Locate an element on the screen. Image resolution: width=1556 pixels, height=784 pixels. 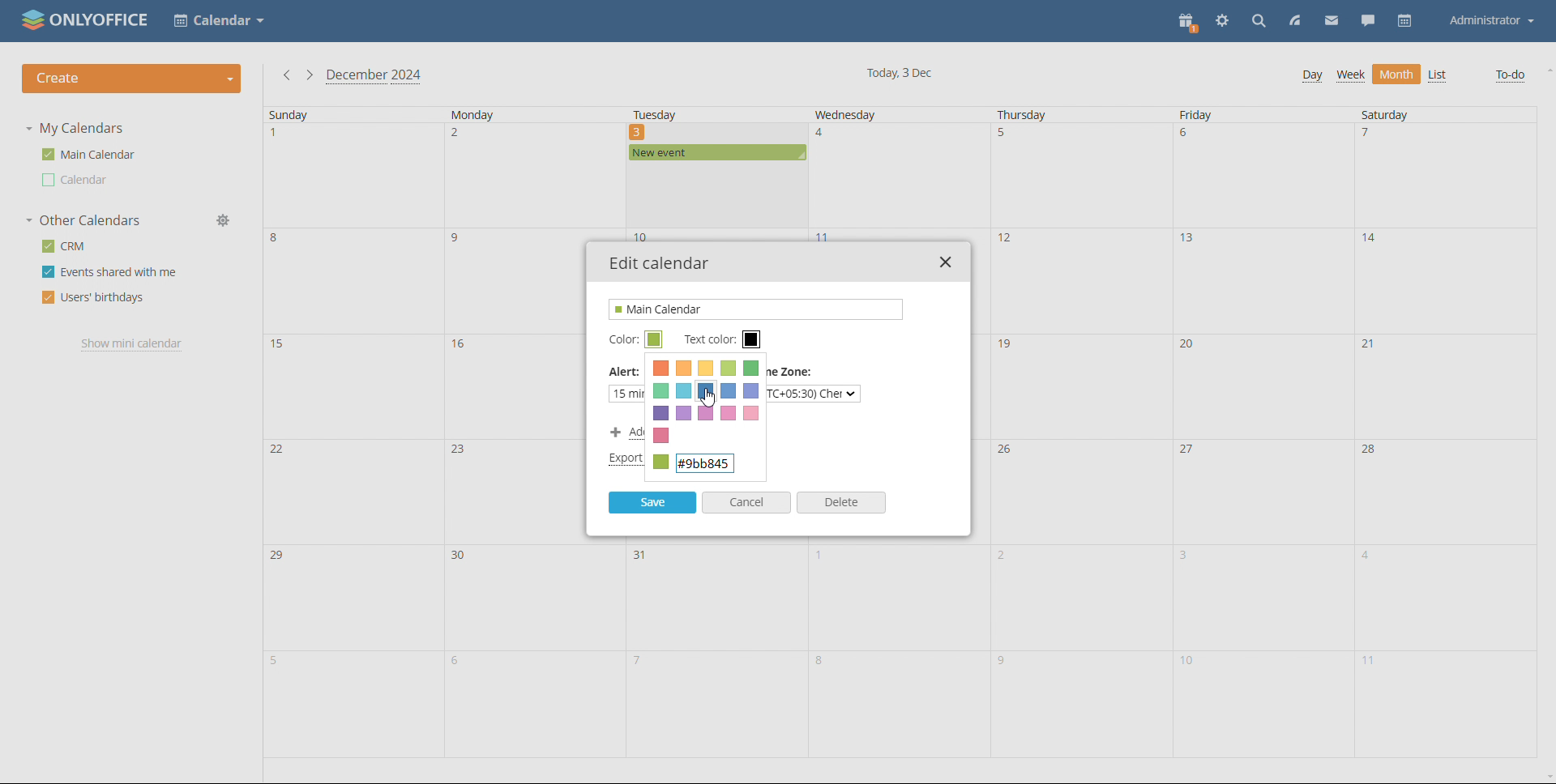
search is located at coordinates (1259, 23).